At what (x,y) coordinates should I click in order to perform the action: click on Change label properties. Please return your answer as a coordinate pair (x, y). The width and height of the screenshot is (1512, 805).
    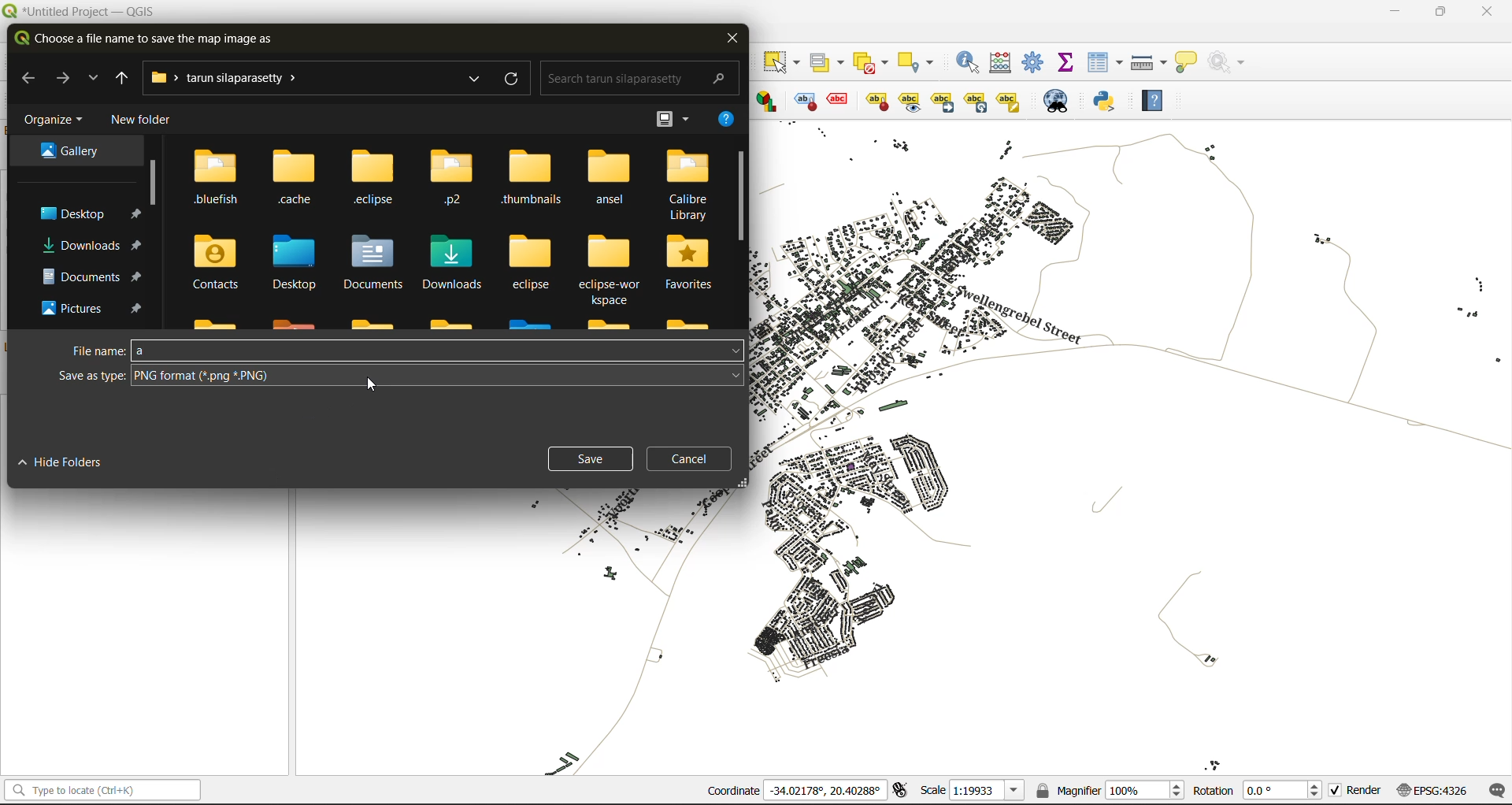
    Looking at the image, I should click on (1009, 100).